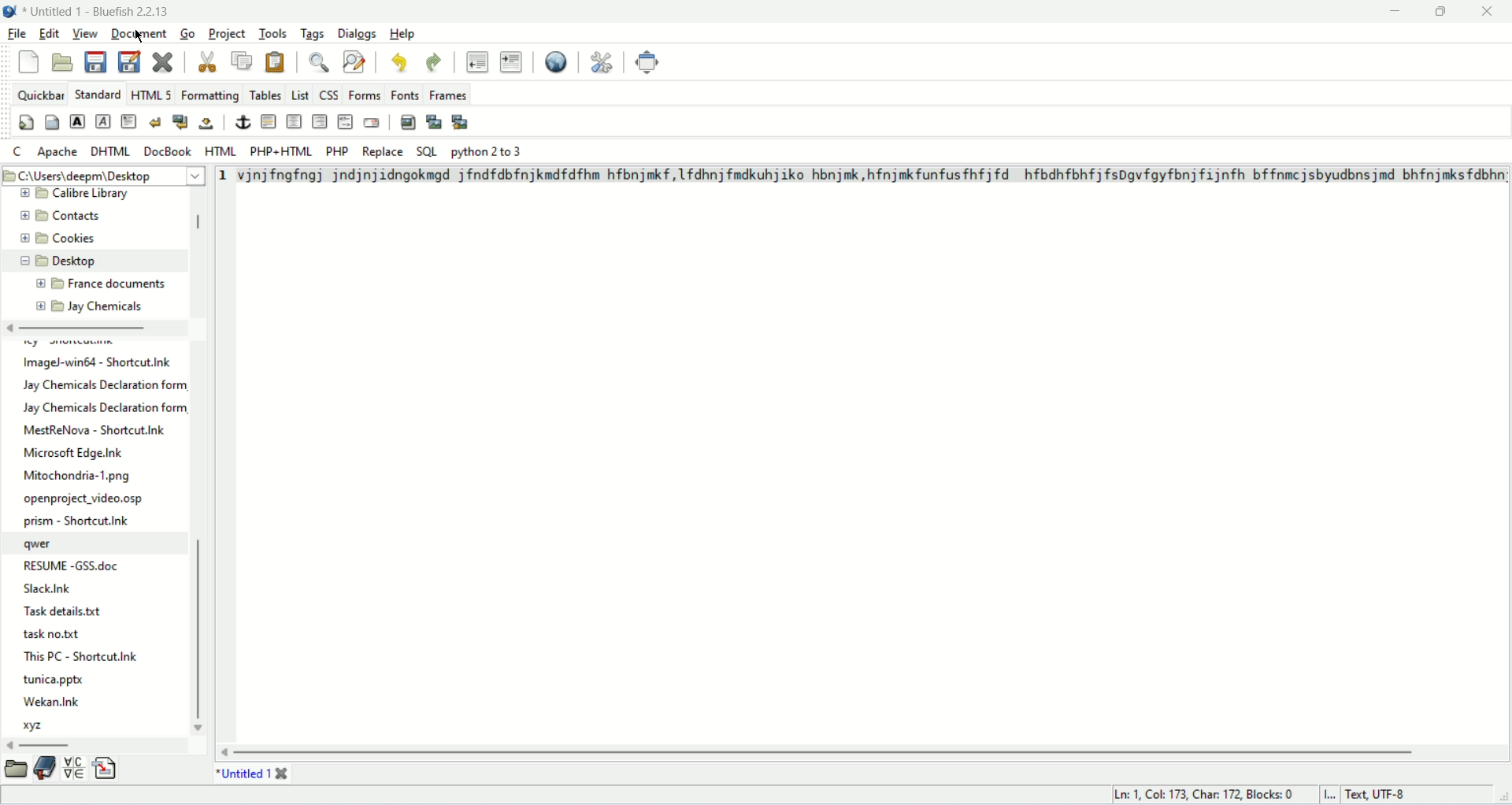 Image resolution: width=1512 pixels, height=805 pixels. What do you see at coordinates (239, 773) in the screenshot?
I see `title` at bounding box center [239, 773].